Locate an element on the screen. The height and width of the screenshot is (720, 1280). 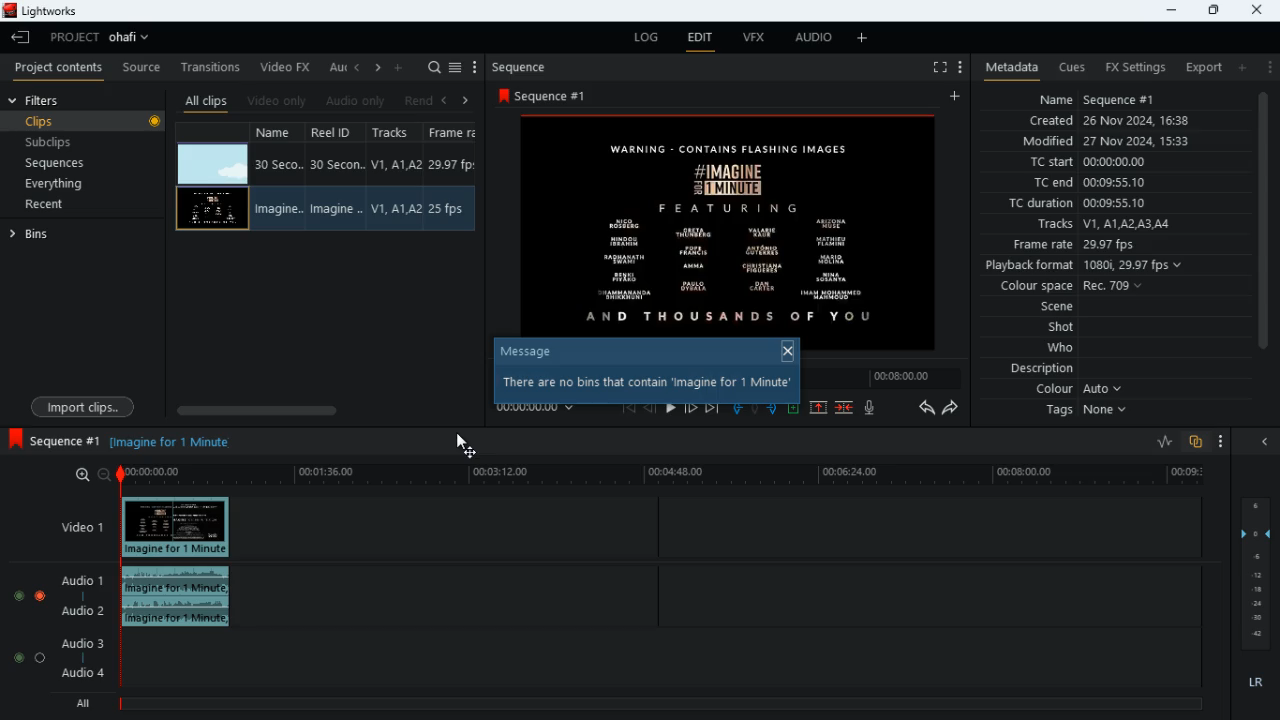
metadata is located at coordinates (1008, 66).